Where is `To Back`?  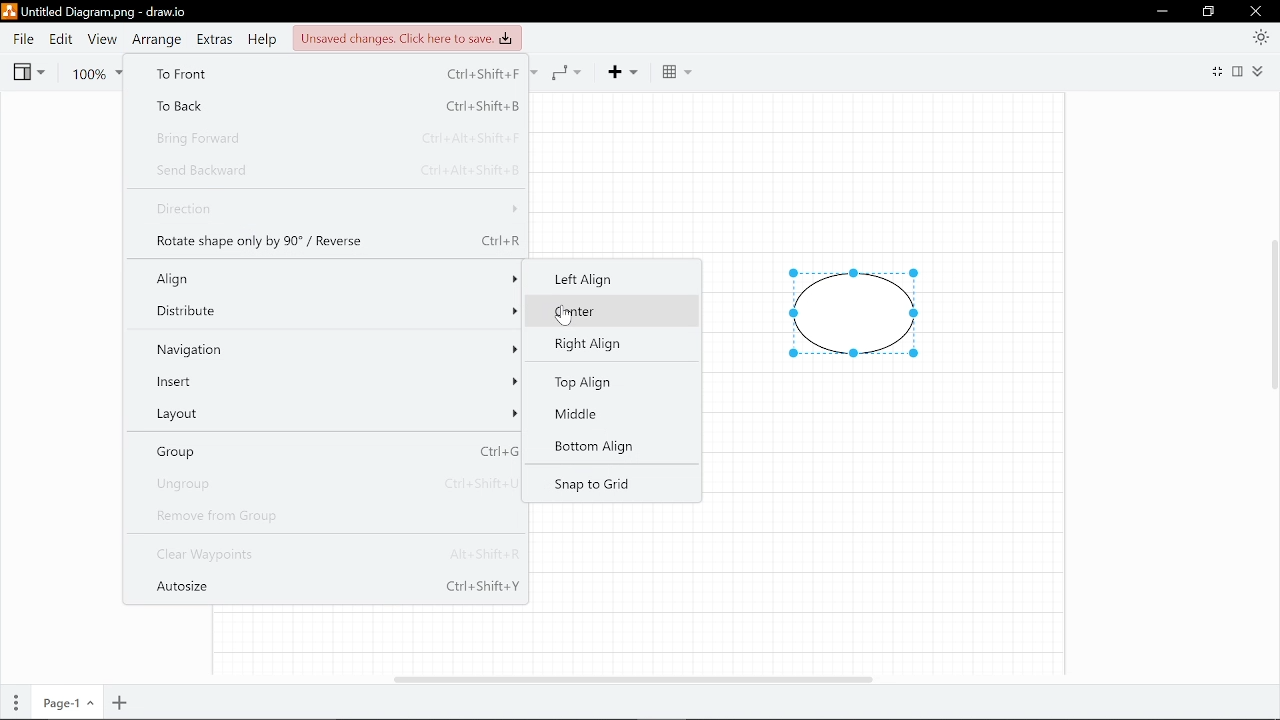
To Back is located at coordinates (326, 106).